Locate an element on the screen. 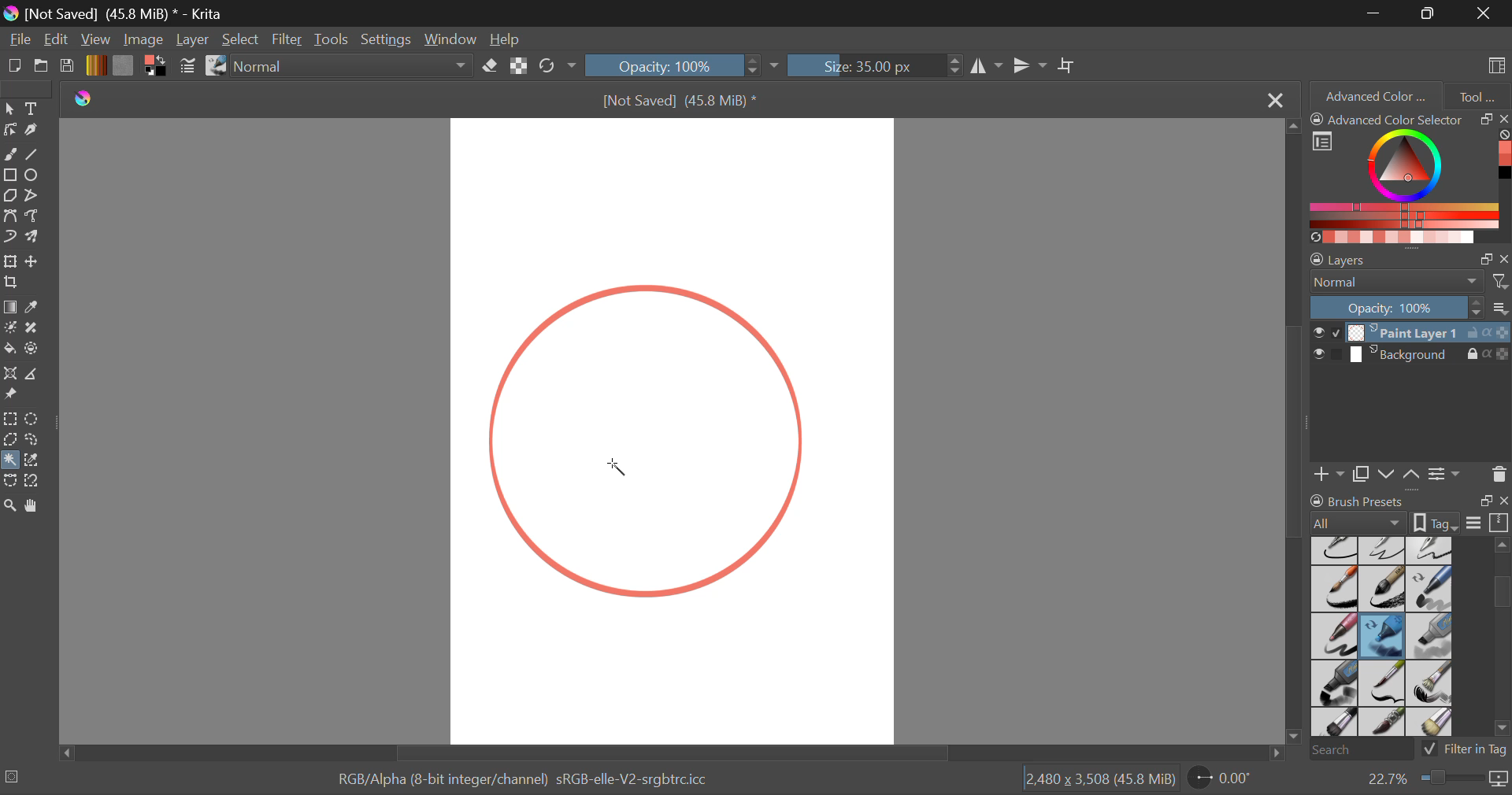  Restore Down is located at coordinates (1377, 13).